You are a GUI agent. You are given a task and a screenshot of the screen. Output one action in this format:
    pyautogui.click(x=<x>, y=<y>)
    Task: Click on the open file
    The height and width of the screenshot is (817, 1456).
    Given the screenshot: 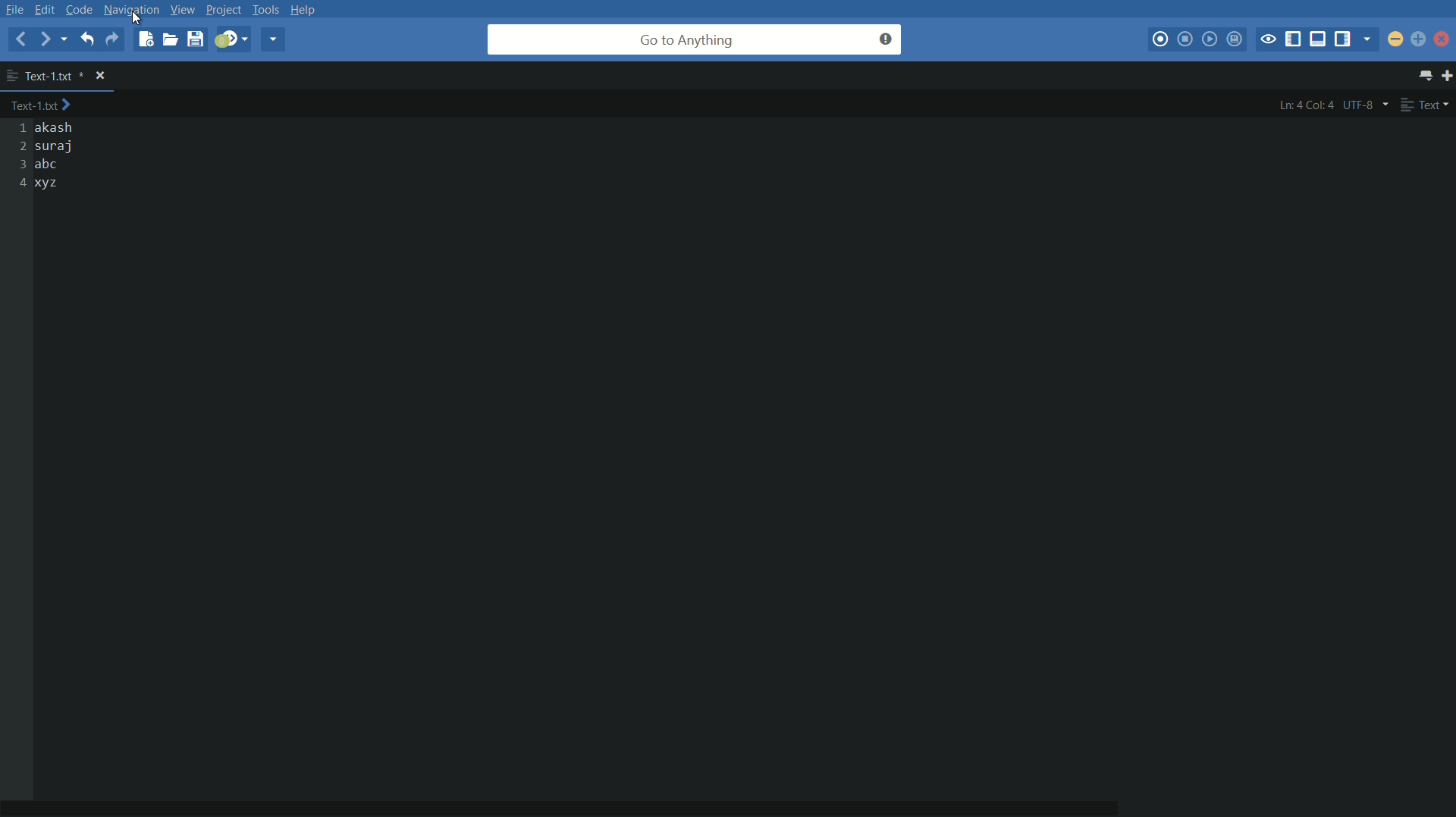 What is the action you would take?
    pyautogui.click(x=170, y=39)
    